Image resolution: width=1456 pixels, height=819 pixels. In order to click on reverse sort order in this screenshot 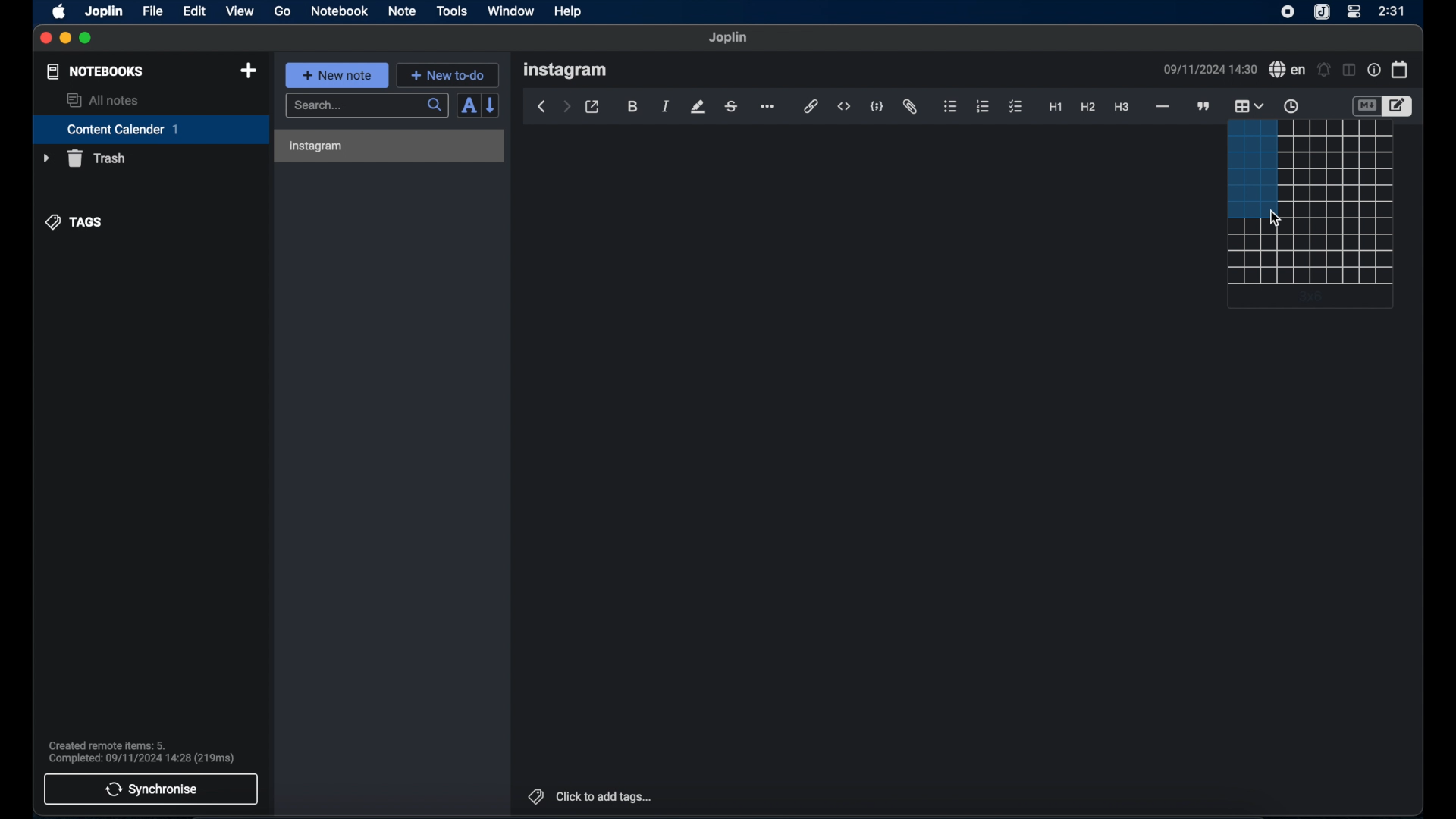, I will do `click(491, 105)`.